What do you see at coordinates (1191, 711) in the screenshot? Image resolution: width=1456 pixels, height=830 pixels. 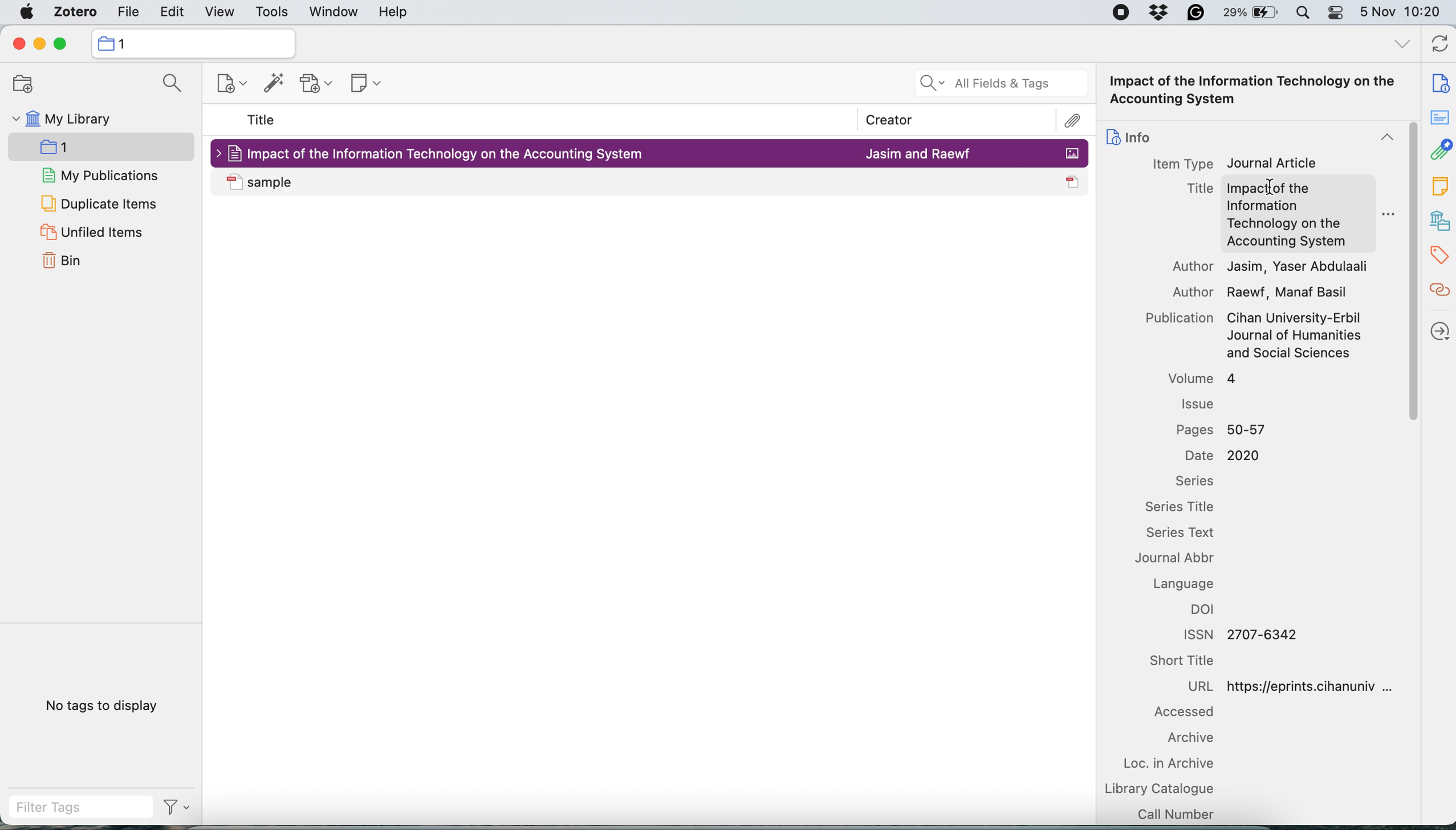 I see `accessed` at bounding box center [1191, 711].